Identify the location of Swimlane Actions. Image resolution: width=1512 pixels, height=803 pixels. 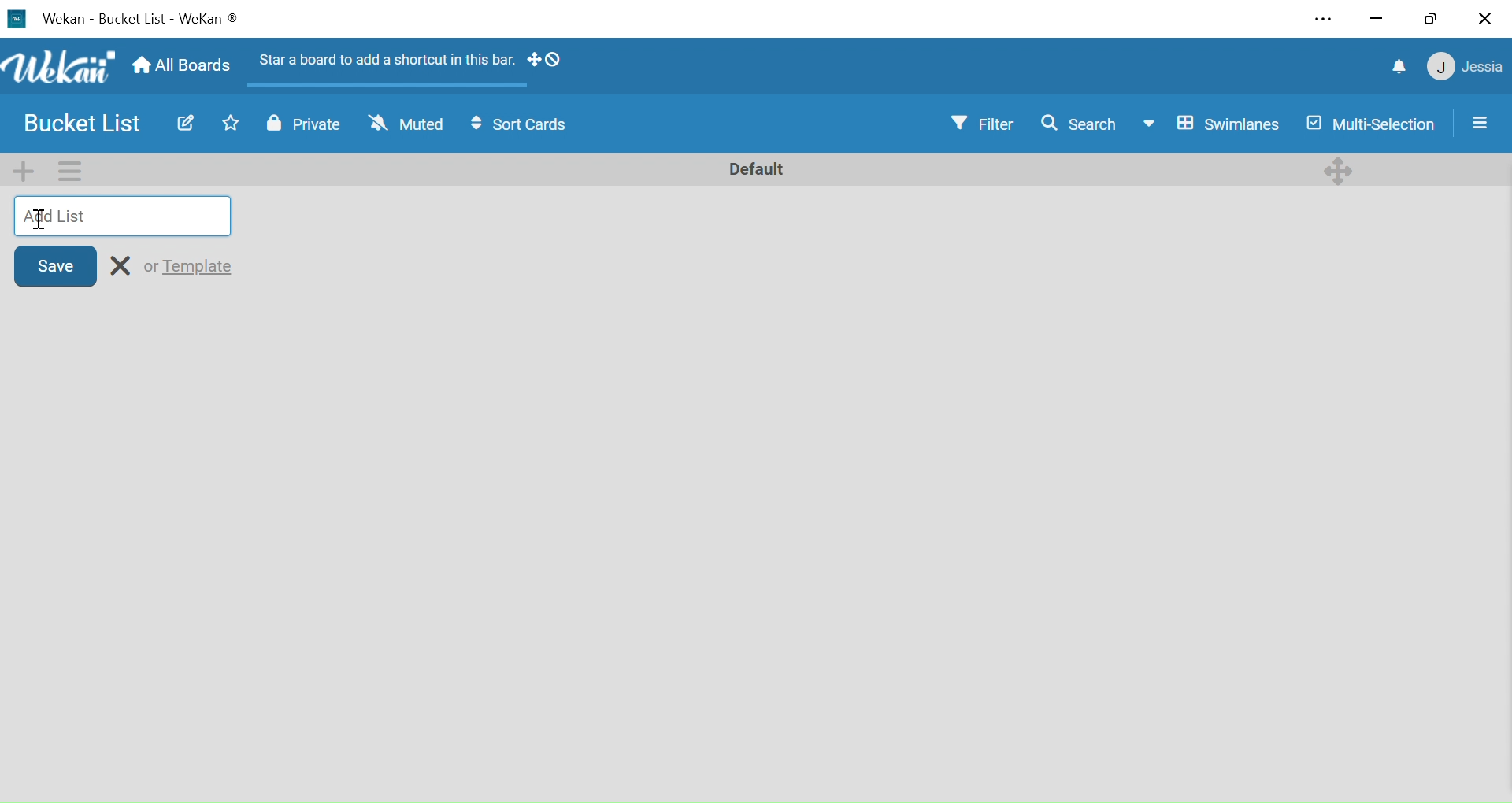
(69, 170).